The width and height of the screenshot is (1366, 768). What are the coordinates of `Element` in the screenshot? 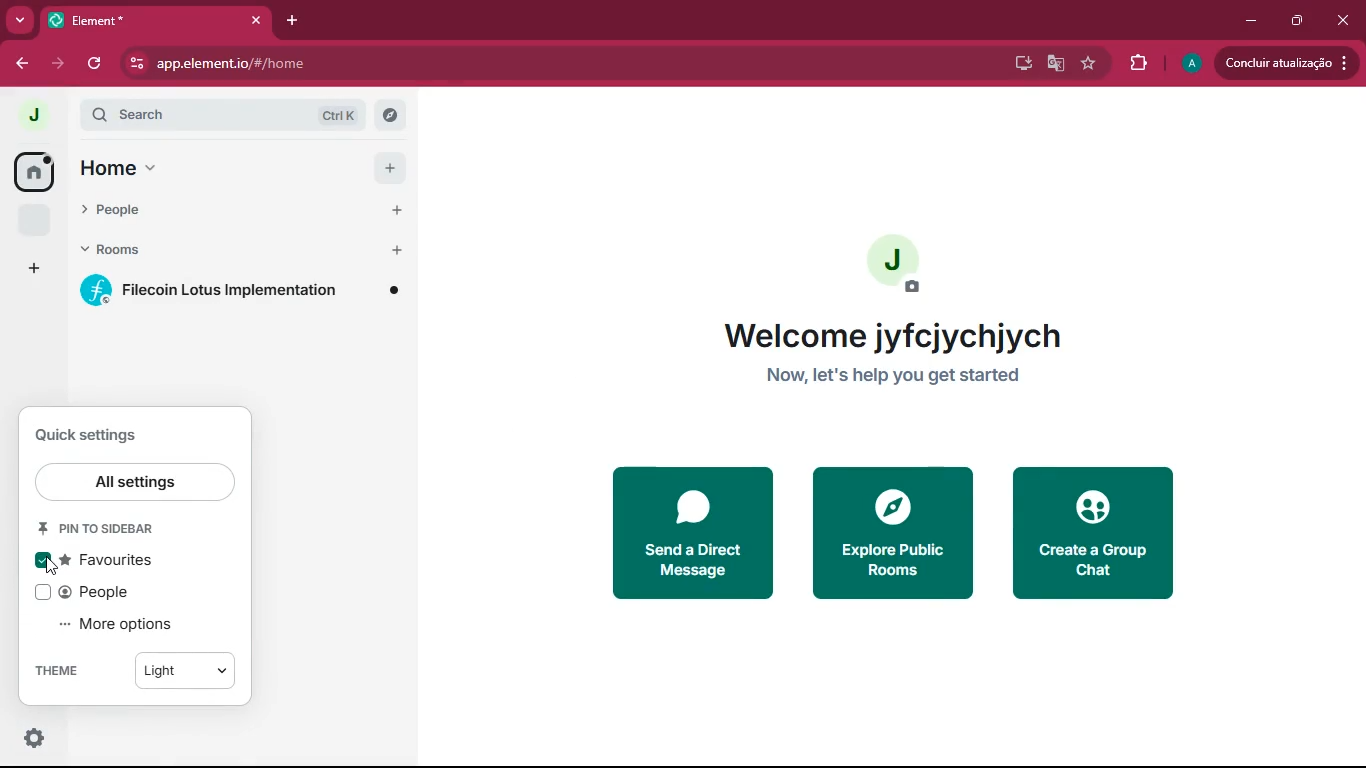 It's located at (142, 21).